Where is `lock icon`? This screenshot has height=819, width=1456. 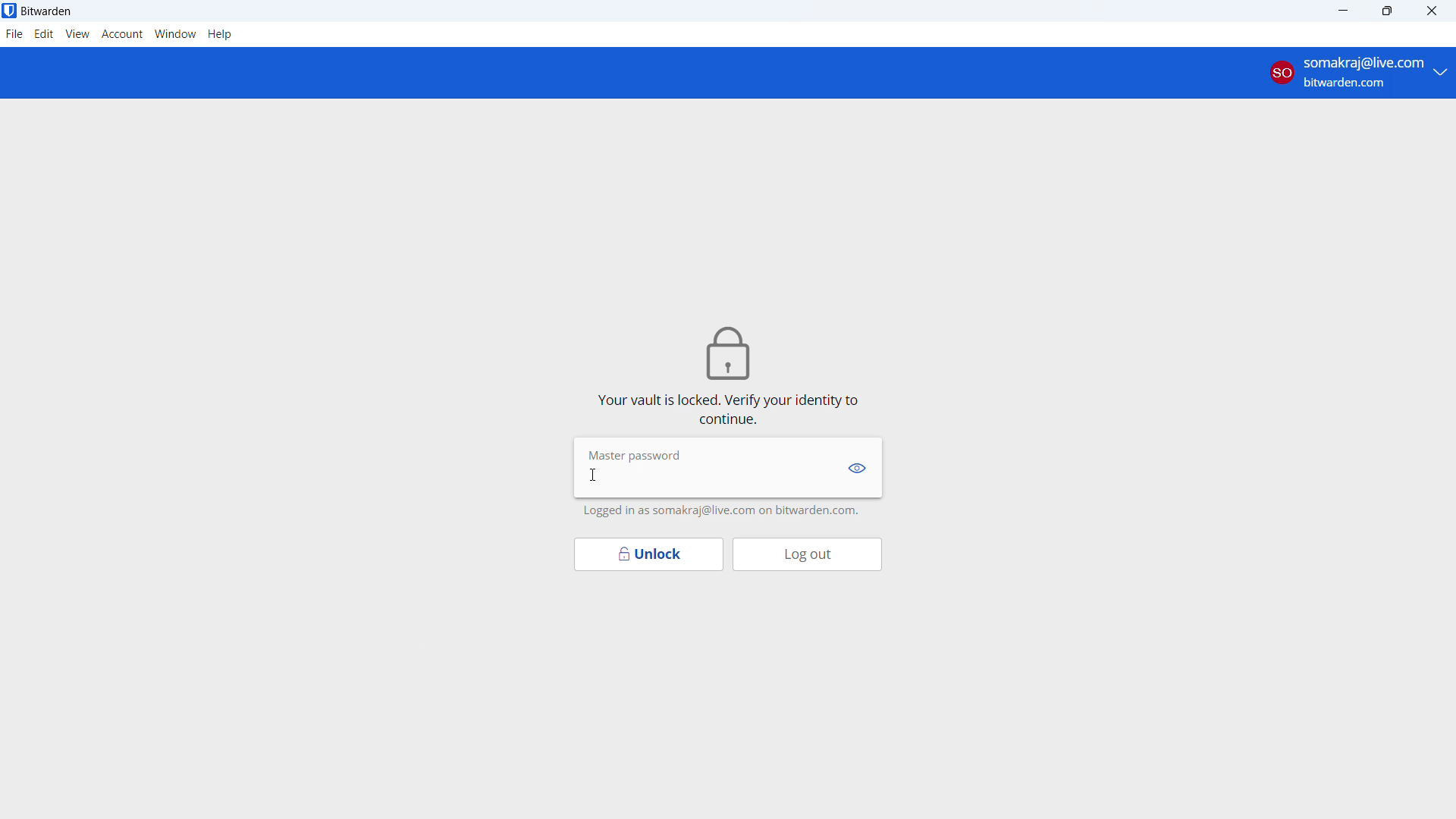 lock icon is located at coordinates (732, 347).